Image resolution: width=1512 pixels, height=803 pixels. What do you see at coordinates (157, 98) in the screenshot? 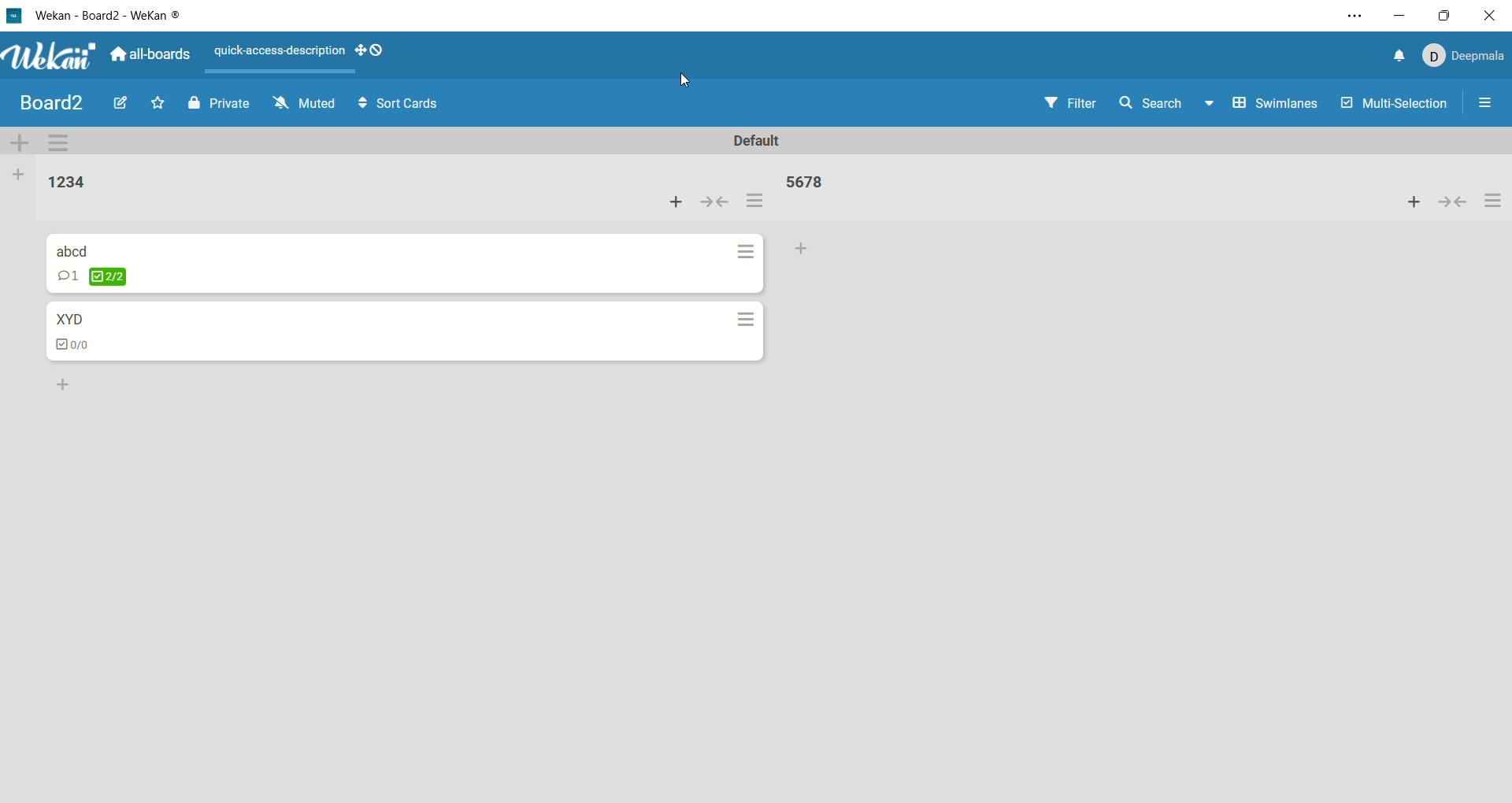
I see `favorite` at bounding box center [157, 98].